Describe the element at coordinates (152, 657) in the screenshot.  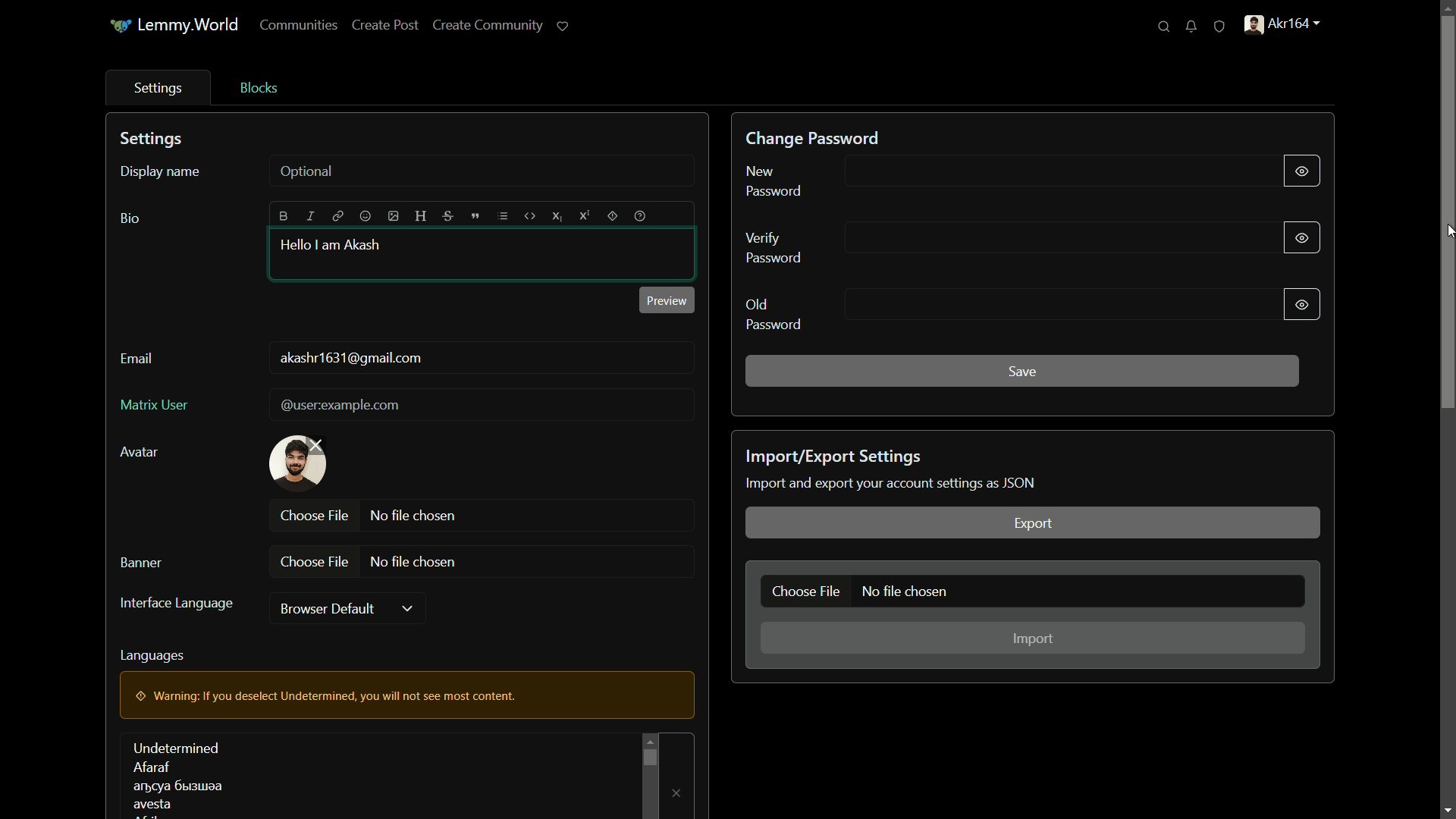
I see `languages` at that location.